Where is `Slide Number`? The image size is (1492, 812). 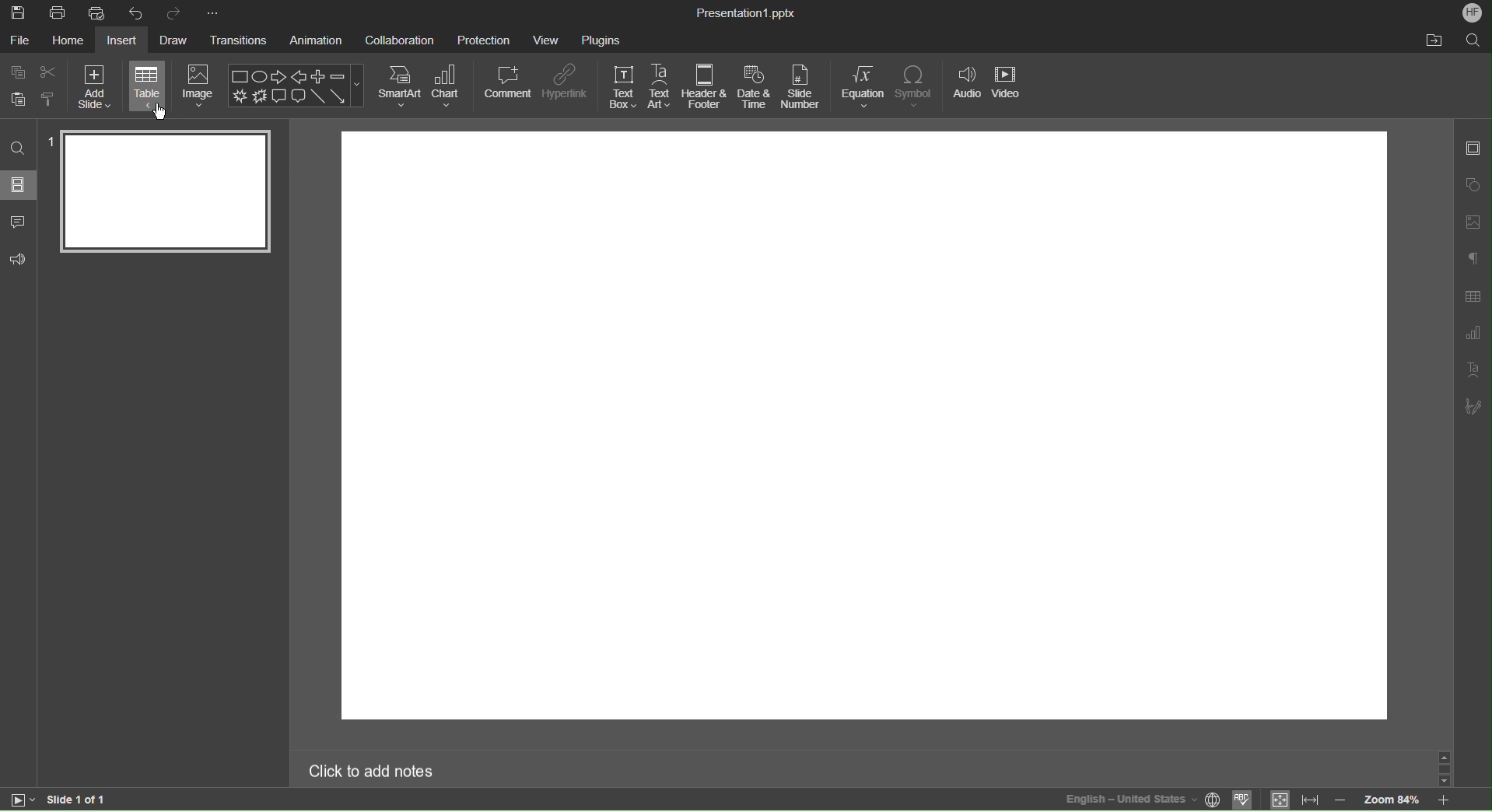 Slide Number is located at coordinates (803, 87).